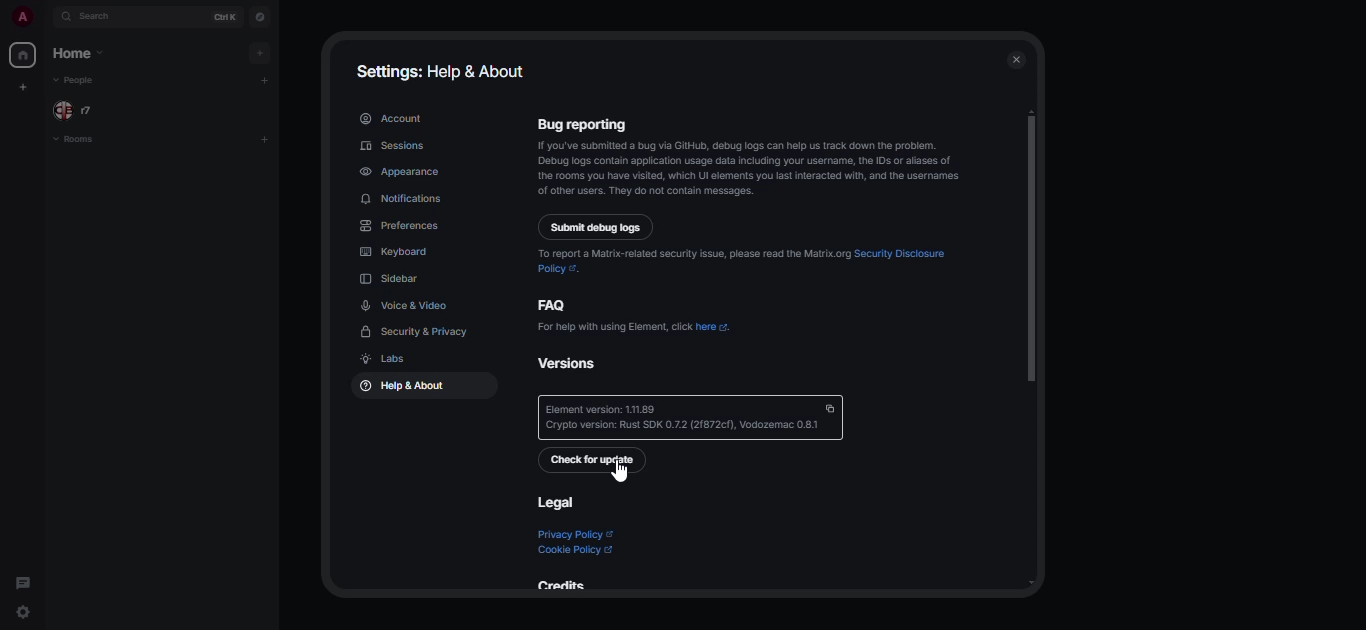 Image resolution: width=1366 pixels, height=630 pixels. What do you see at coordinates (79, 141) in the screenshot?
I see `rooms` at bounding box center [79, 141].